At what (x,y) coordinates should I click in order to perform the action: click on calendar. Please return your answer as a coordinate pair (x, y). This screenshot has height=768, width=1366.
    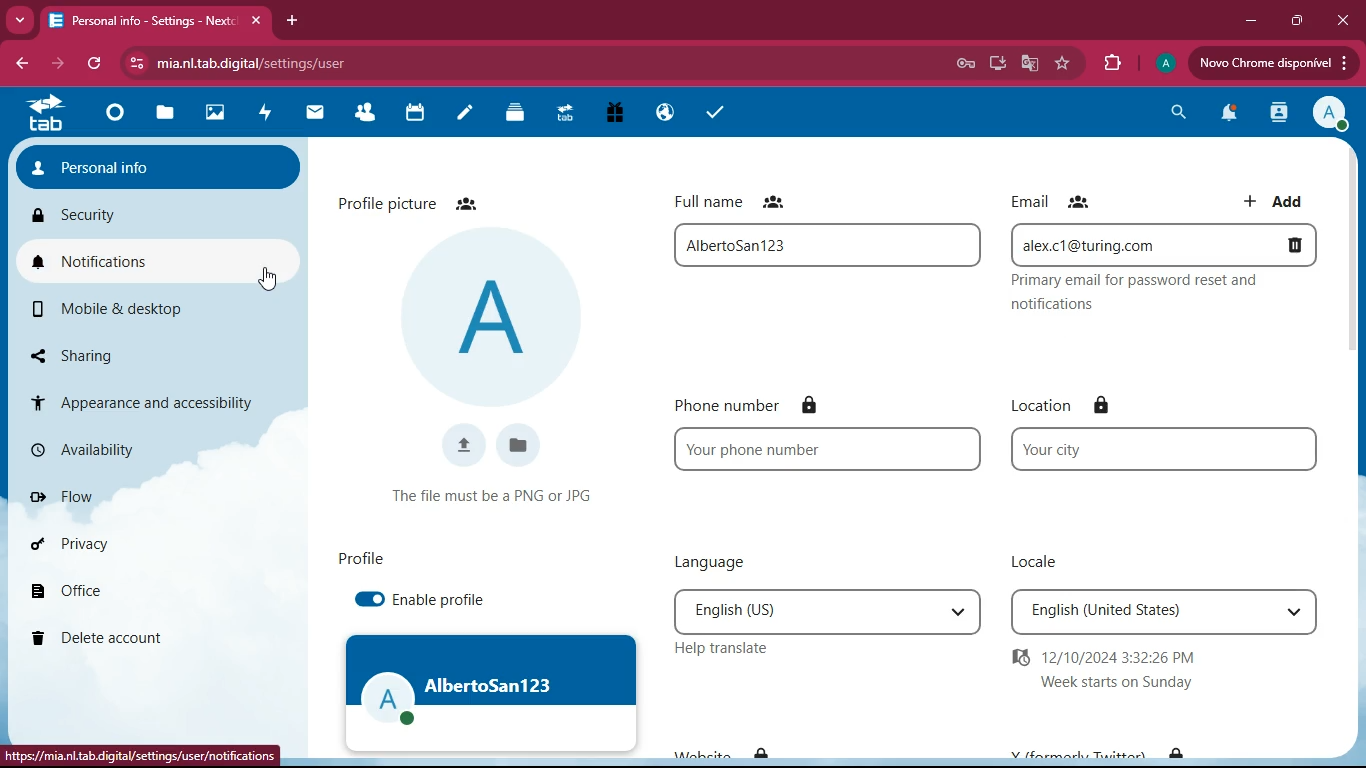
    Looking at the image, I should click on (412, 116).